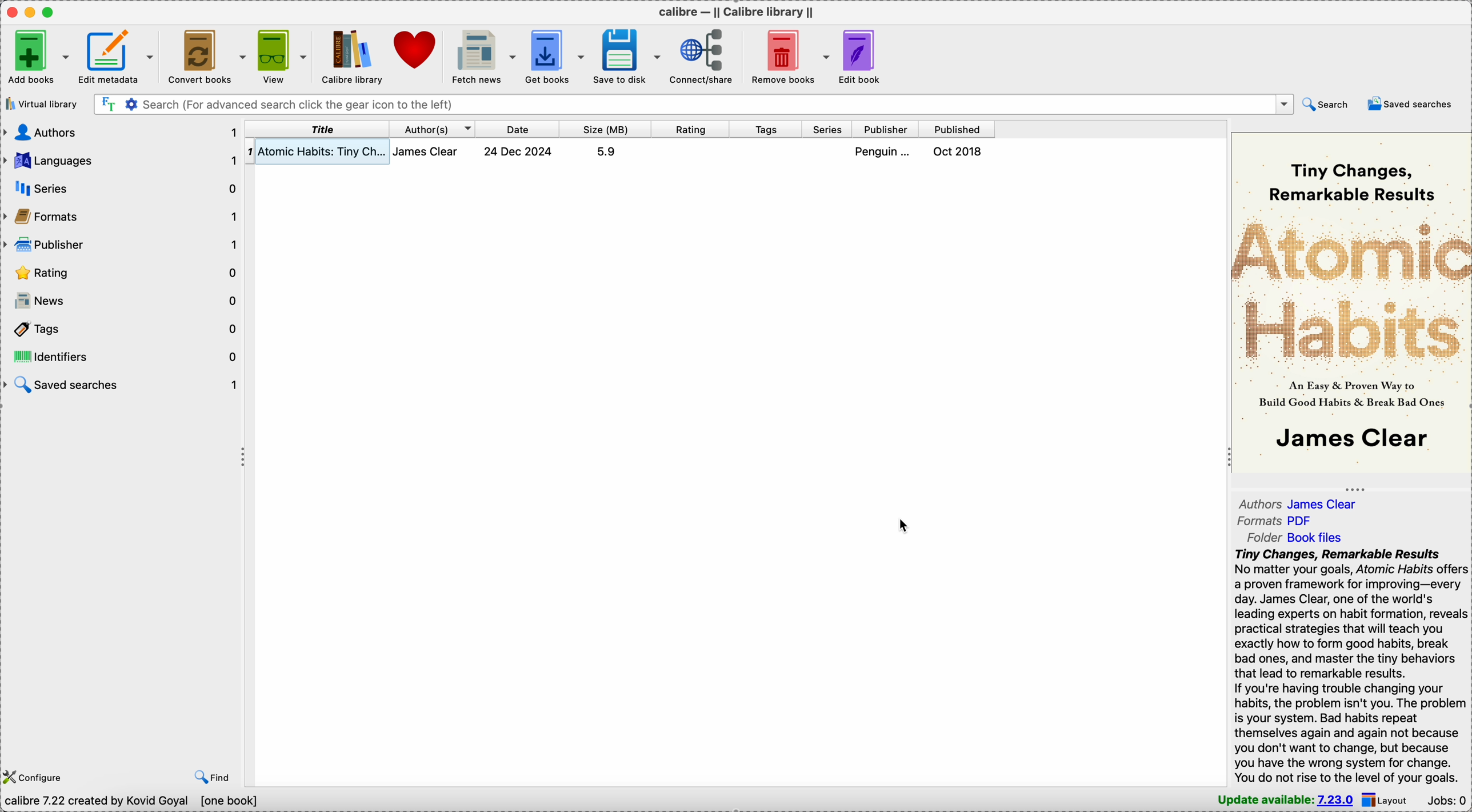 The width and height of the screenshot is (1472, 812). Describe the element at coordinates (903, 526) in the screenshot. I see `cursor` at that location.